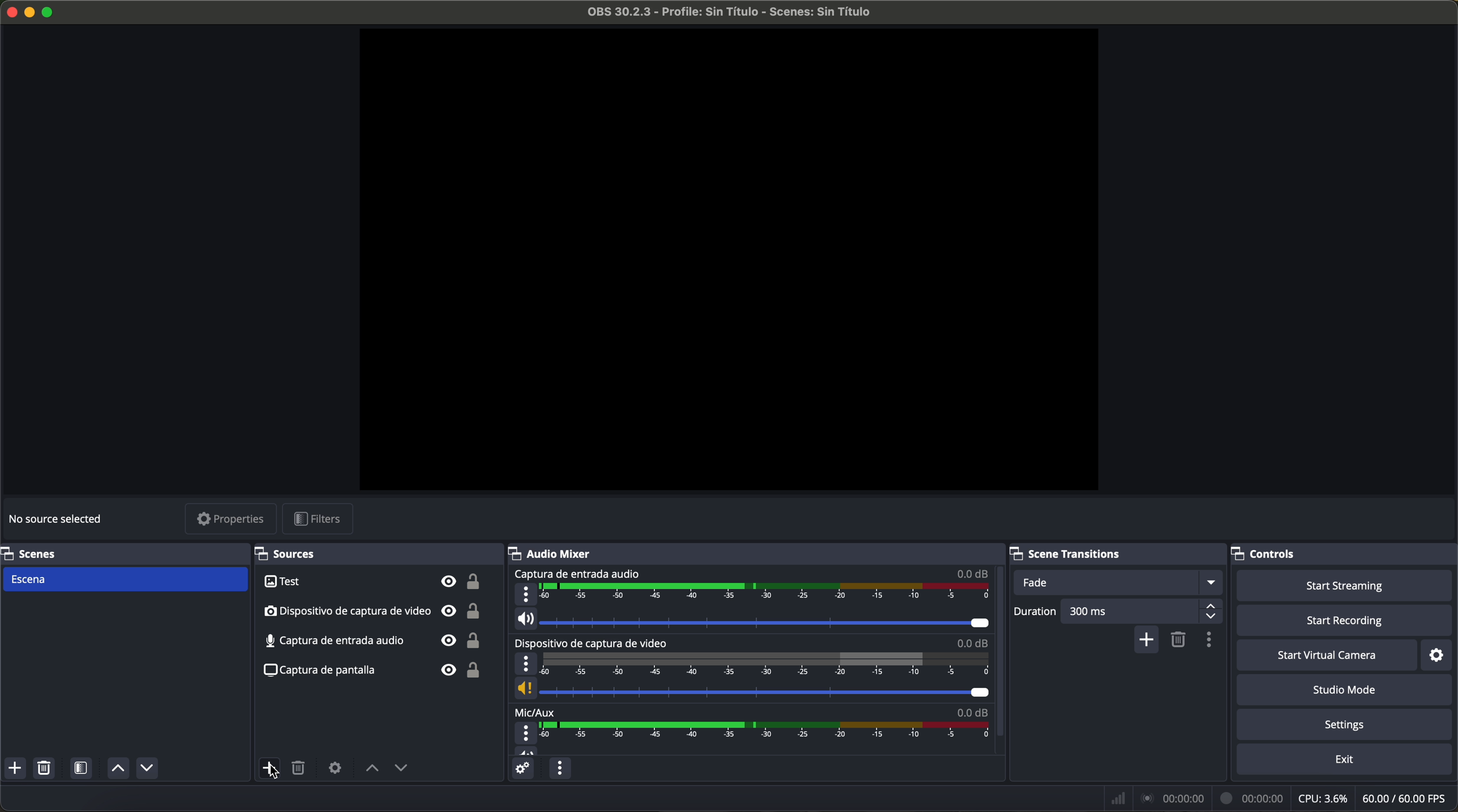  Describe the element at coordinates (278, 772) in the screenshot. I see `cursor` at that location.